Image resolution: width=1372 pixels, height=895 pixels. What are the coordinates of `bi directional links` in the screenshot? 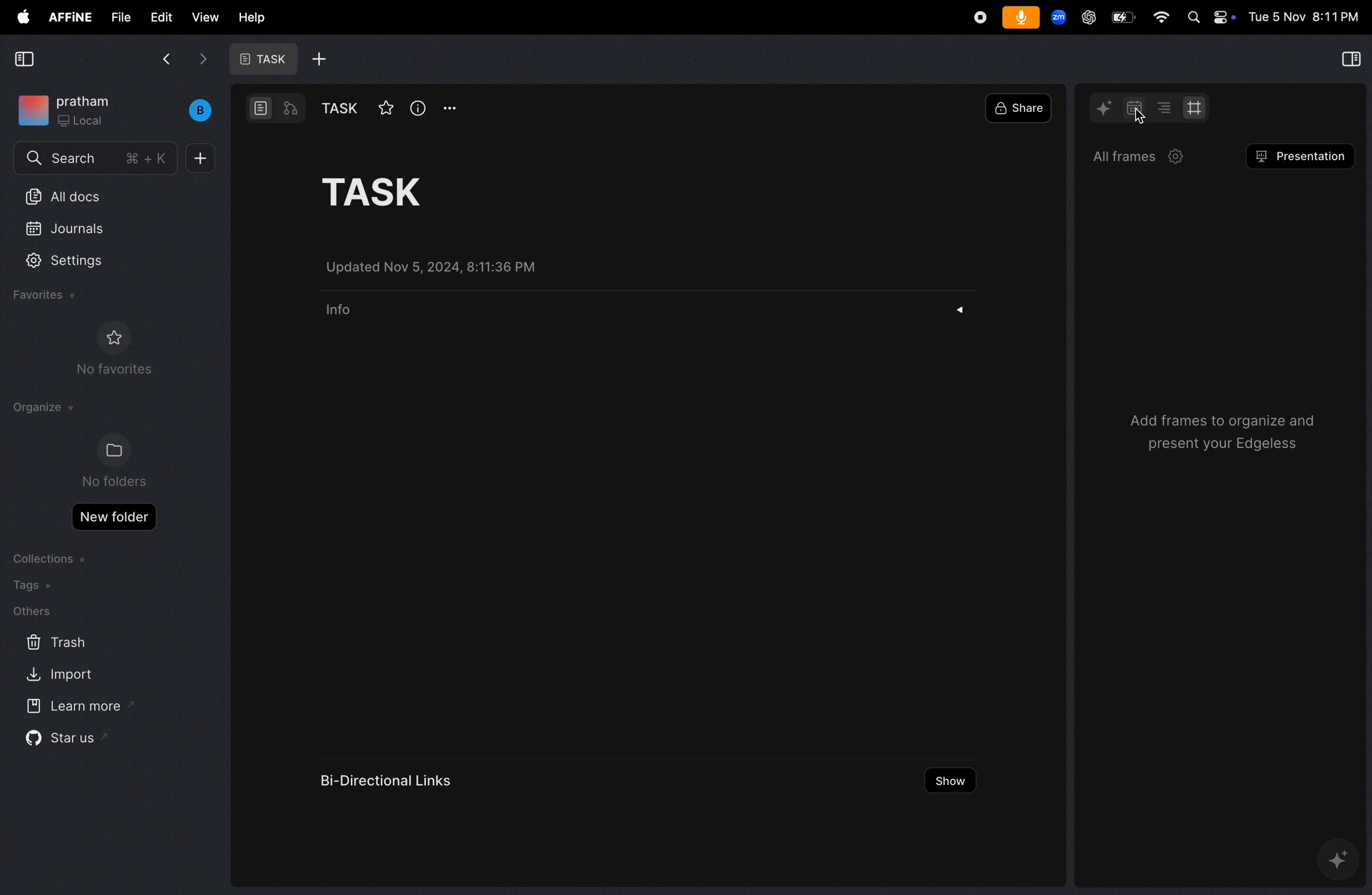 It's located at (390, 777).